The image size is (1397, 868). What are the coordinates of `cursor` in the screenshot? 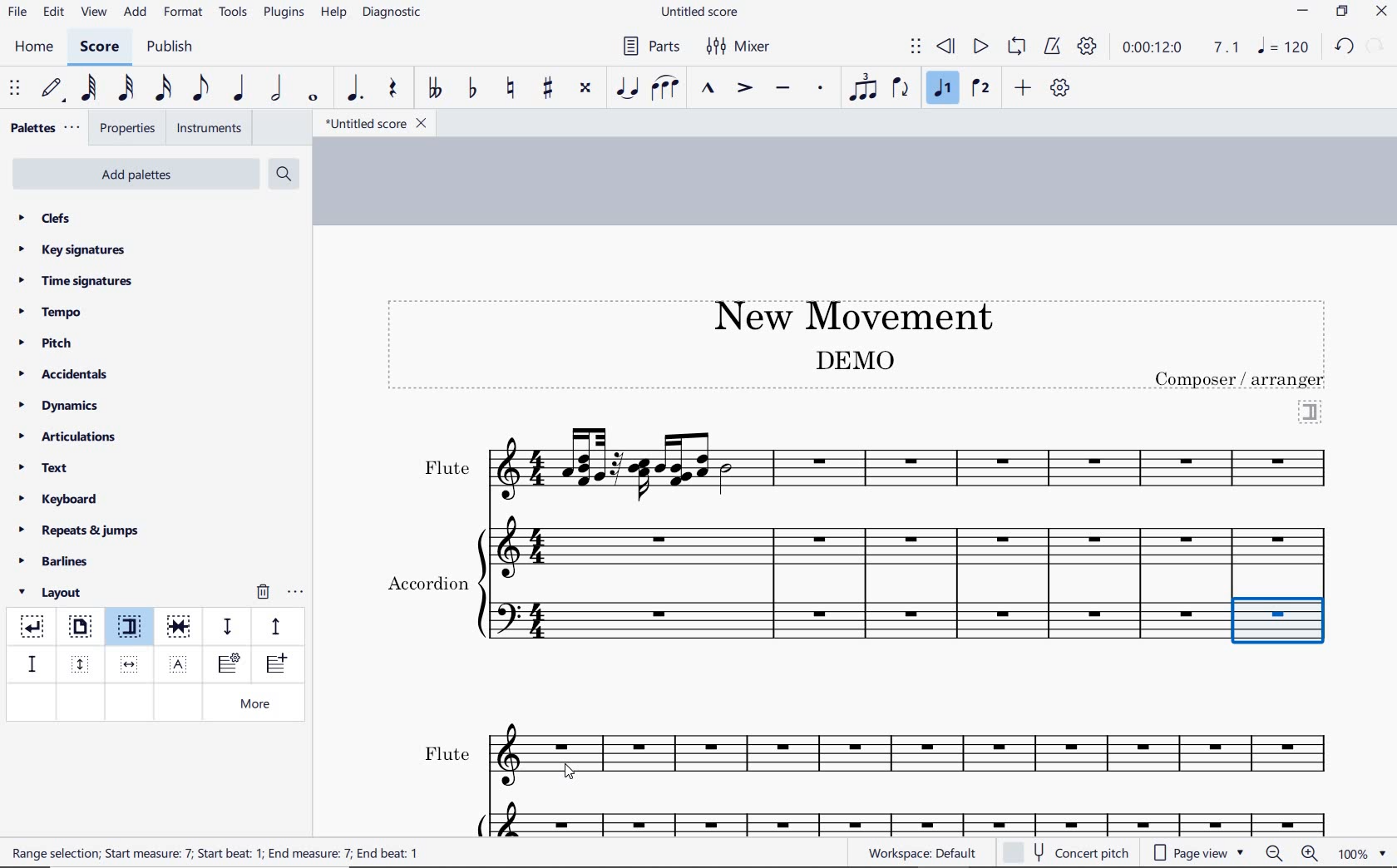 It's located at (573, 772).